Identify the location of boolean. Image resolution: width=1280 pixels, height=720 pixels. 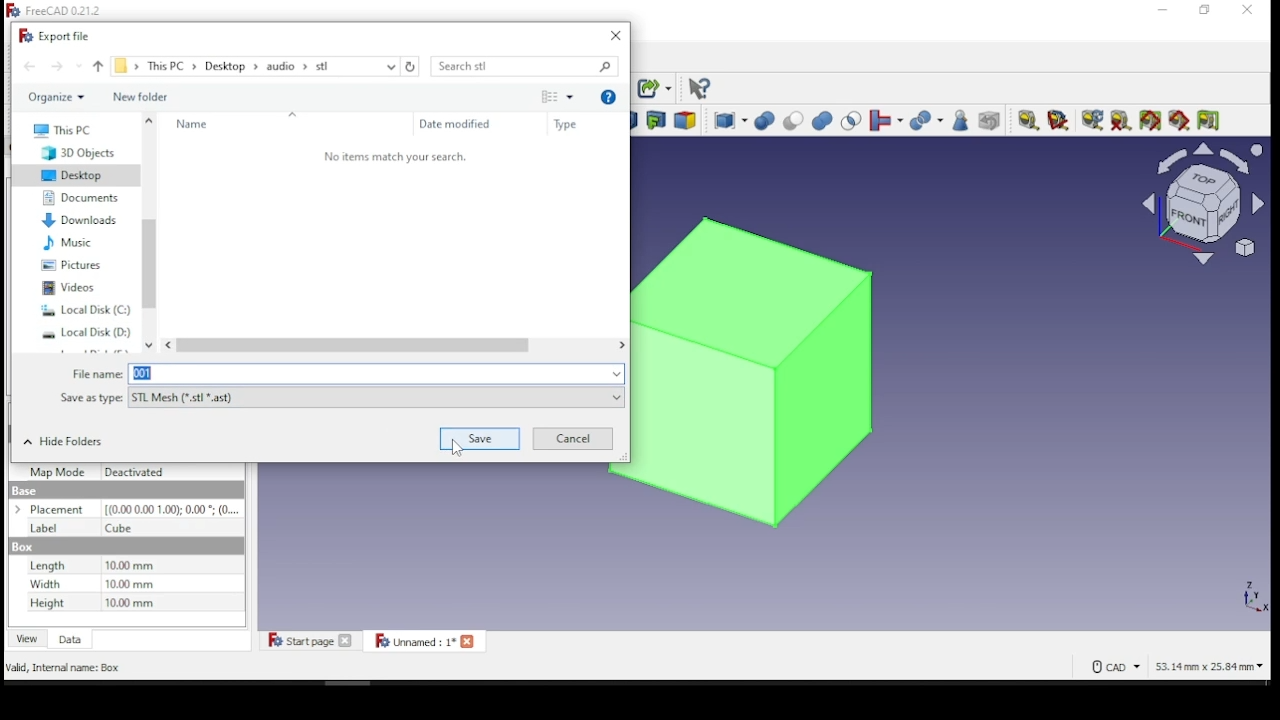
(764, 122).